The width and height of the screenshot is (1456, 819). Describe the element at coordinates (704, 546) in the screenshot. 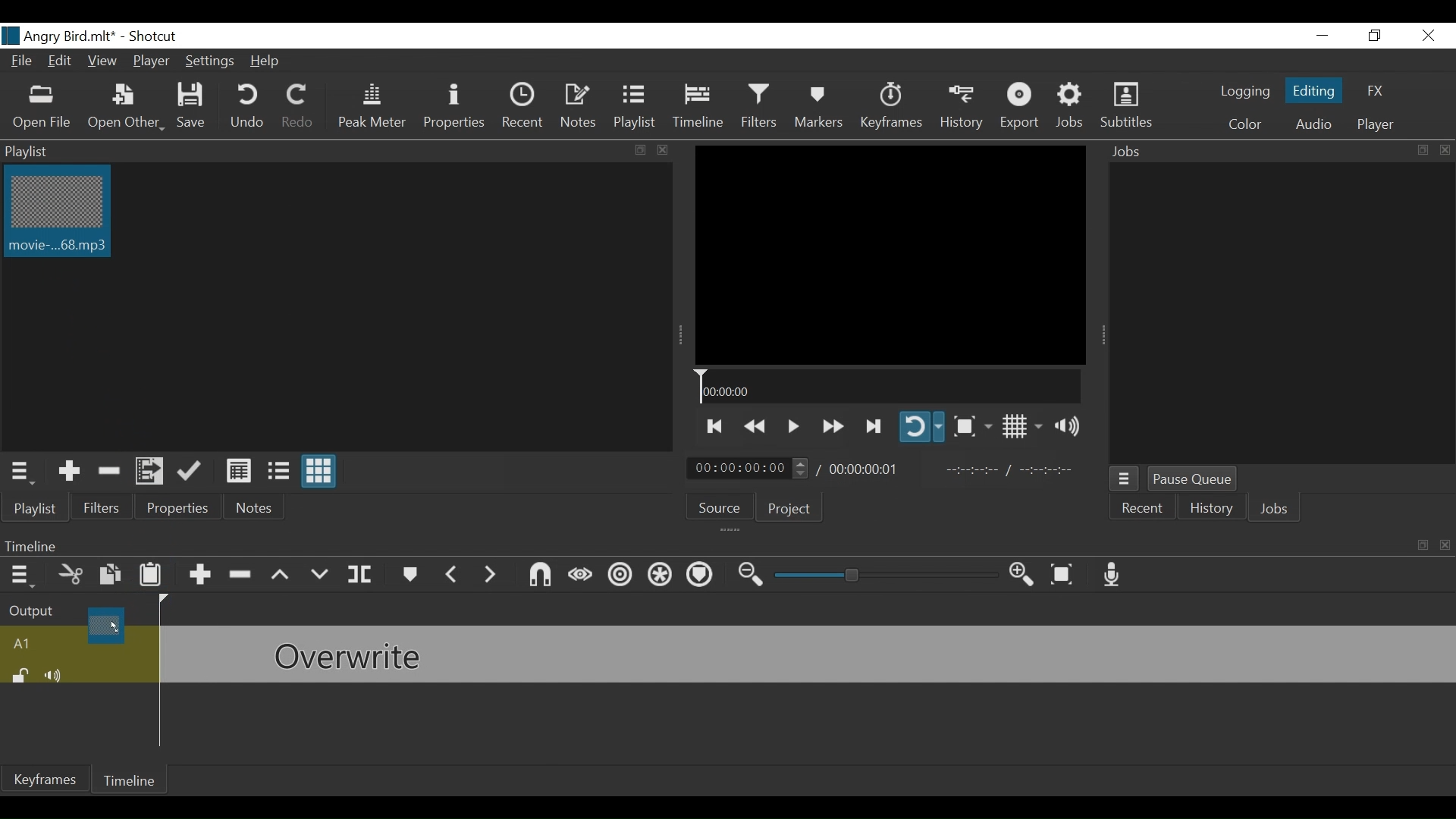

I see `Timeline menu` at that location.